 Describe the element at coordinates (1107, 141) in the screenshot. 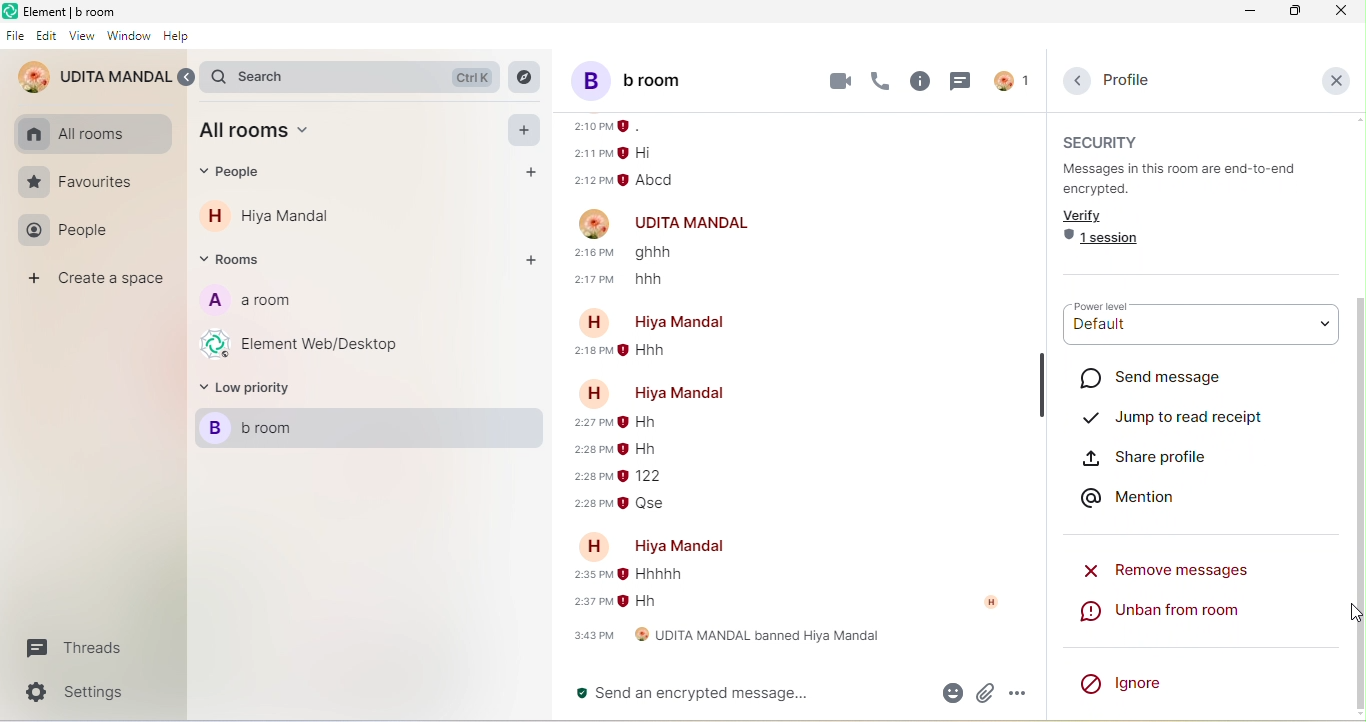

I see `security` at that location.